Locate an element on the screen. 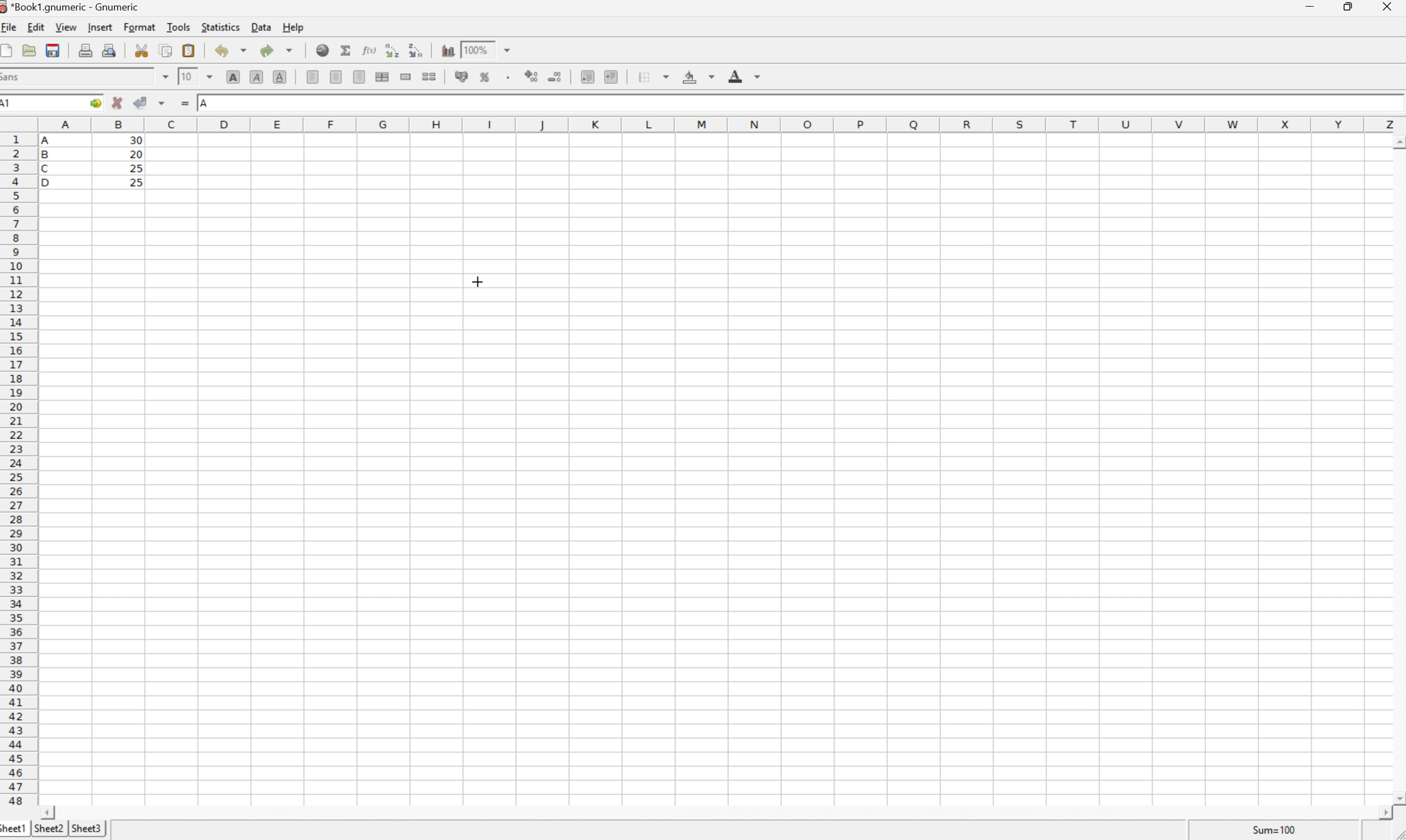 Image resolution: width=1406 pixels, height=840 pixels. Sort the selected region in descending order based on the first column selected is located at coordinates (391, 49).